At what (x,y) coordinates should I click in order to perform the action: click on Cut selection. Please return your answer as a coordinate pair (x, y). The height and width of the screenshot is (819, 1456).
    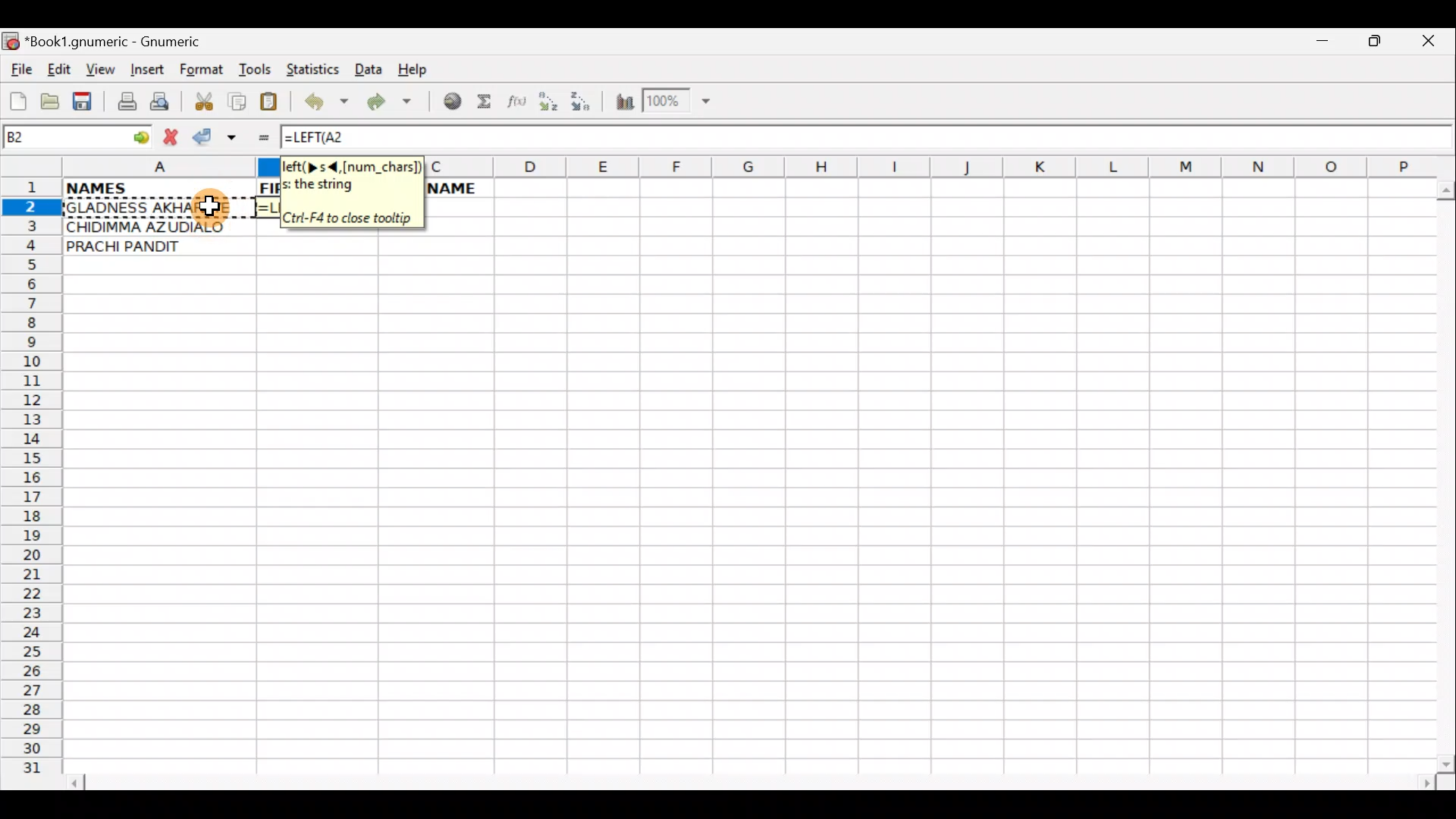
    Looking at the image, I should click on (203, 99).